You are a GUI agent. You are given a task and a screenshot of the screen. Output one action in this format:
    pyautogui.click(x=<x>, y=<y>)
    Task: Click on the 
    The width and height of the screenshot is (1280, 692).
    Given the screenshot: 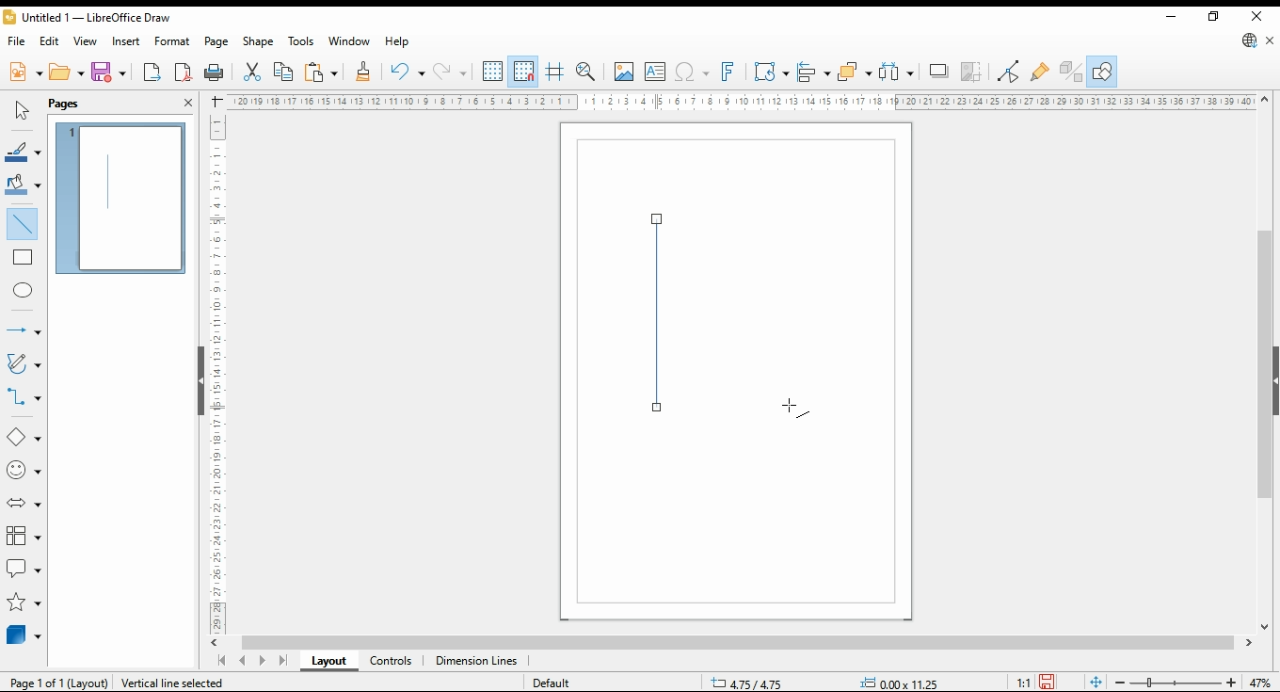 What is the action you would take?
    pyautogui.click(x=890, y=683)
    